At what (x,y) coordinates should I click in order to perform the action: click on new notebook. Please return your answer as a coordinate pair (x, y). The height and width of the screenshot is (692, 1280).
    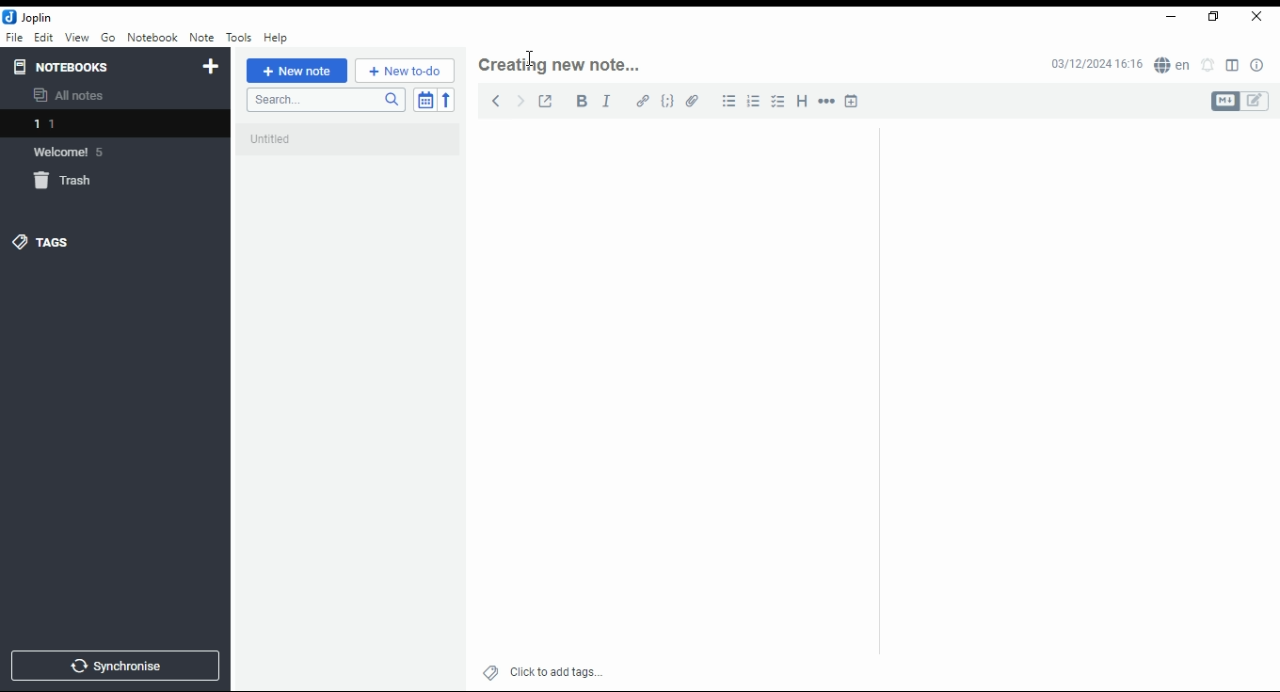
    Looking at the image, I should click on (211, 67).